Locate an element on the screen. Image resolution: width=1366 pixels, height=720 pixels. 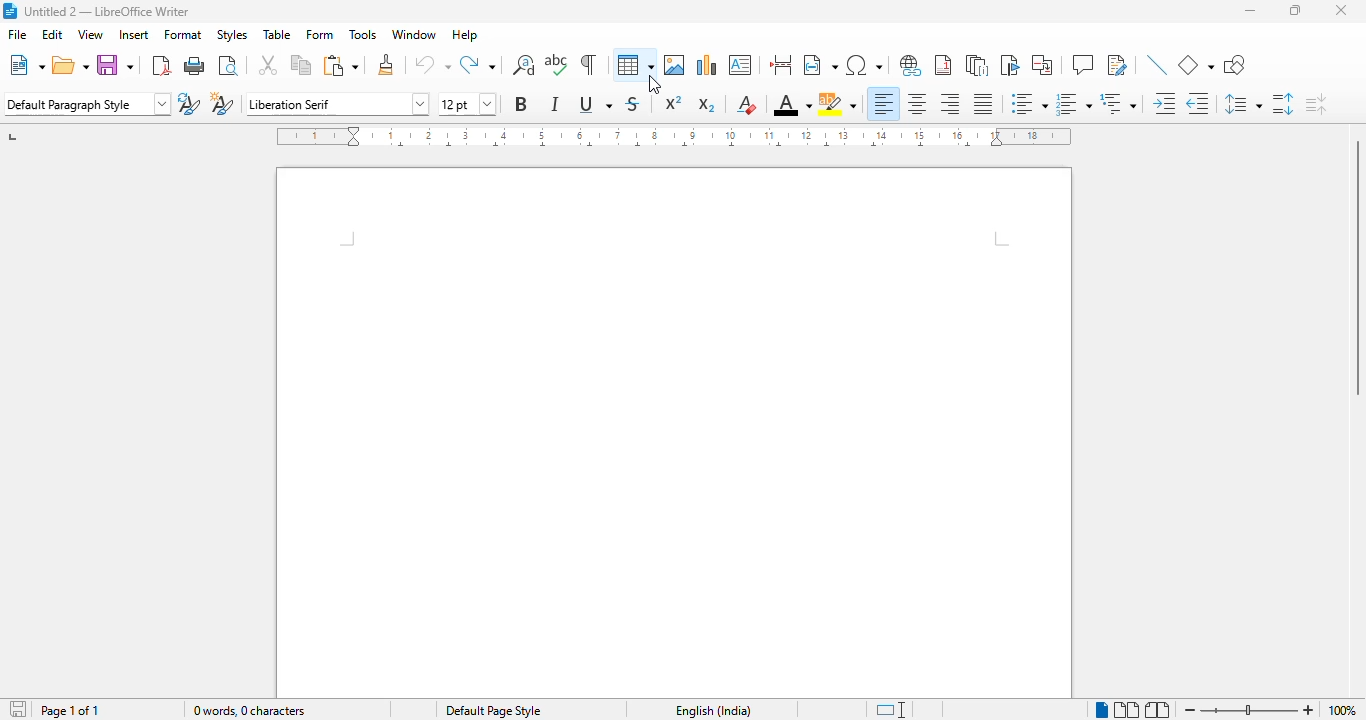
paste is located at coordinates (339, 65).